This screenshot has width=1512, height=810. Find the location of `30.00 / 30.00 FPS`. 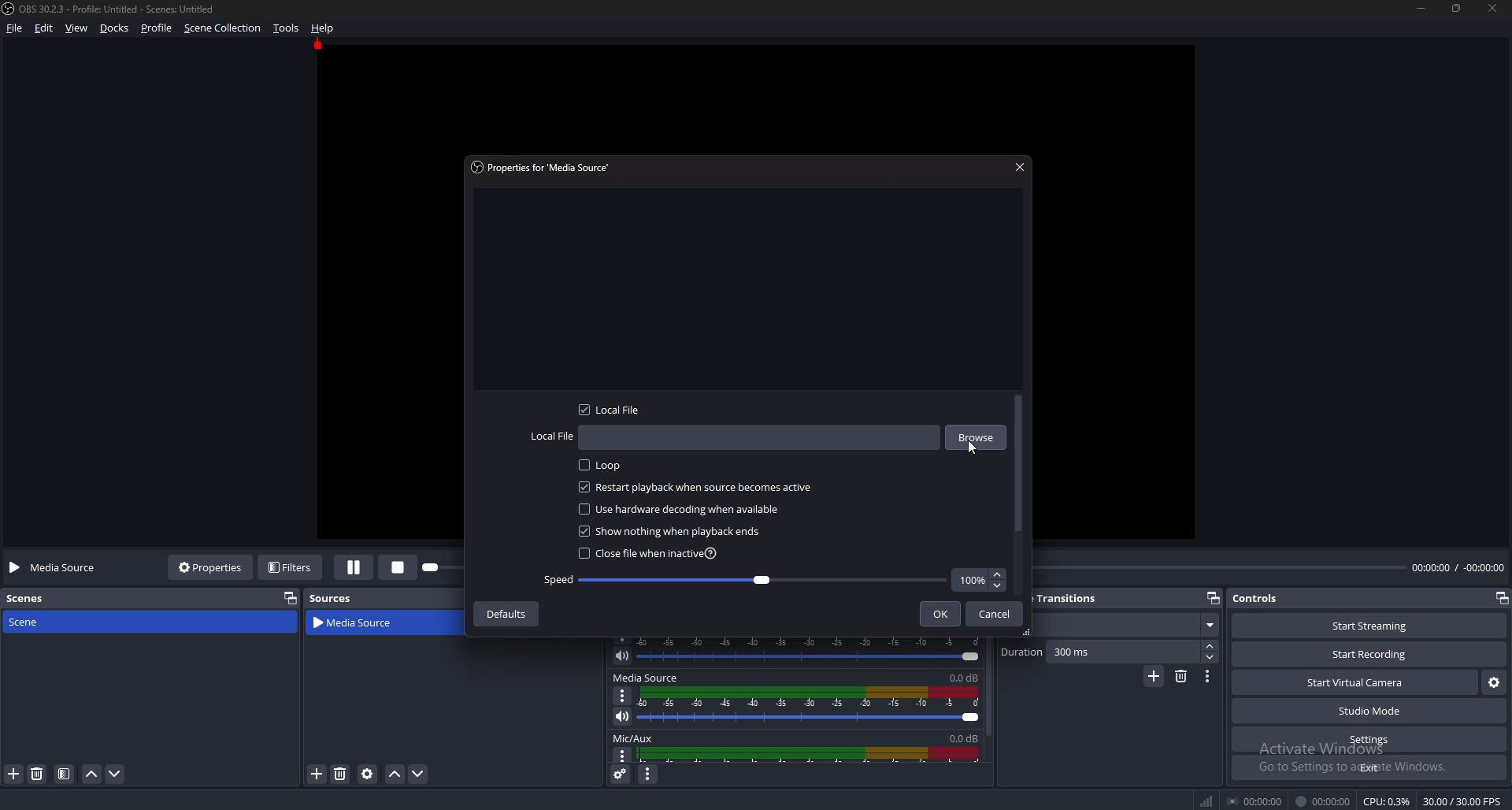

30.00 / 30.00 FPS is located at coordinates (1462, 801).